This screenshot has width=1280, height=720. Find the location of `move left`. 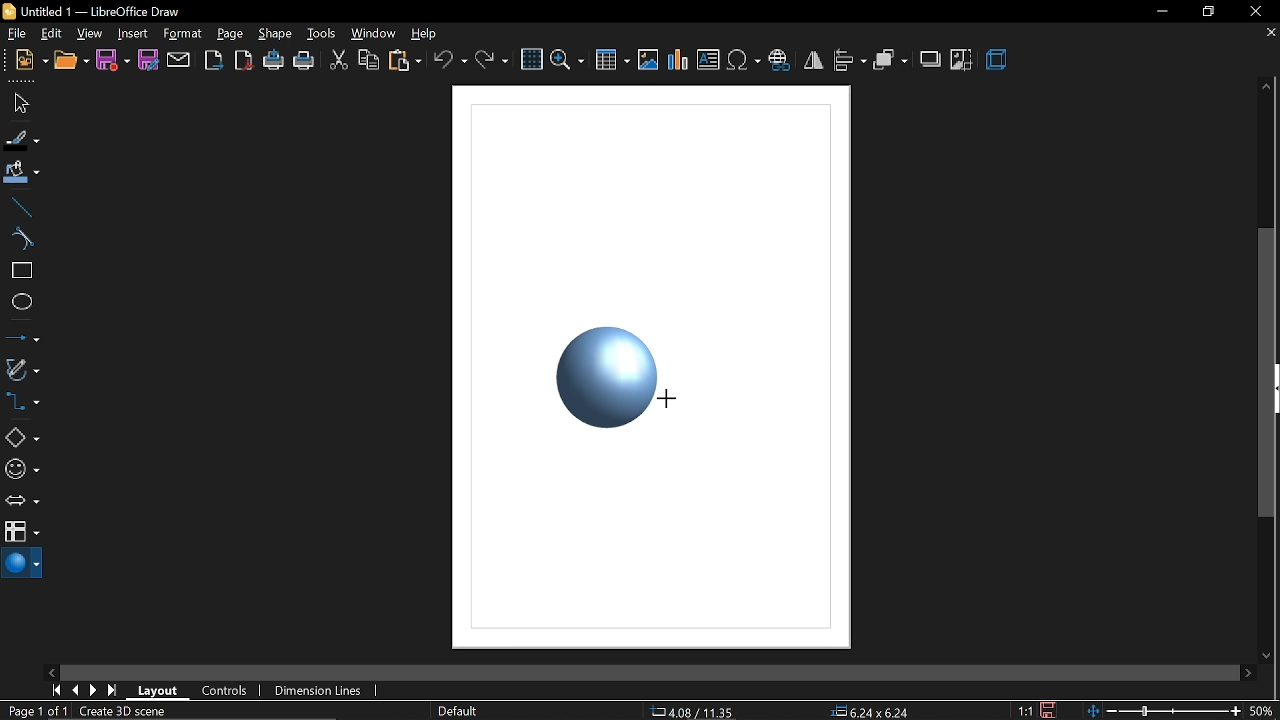

move left is located at coordinates (53, 673).